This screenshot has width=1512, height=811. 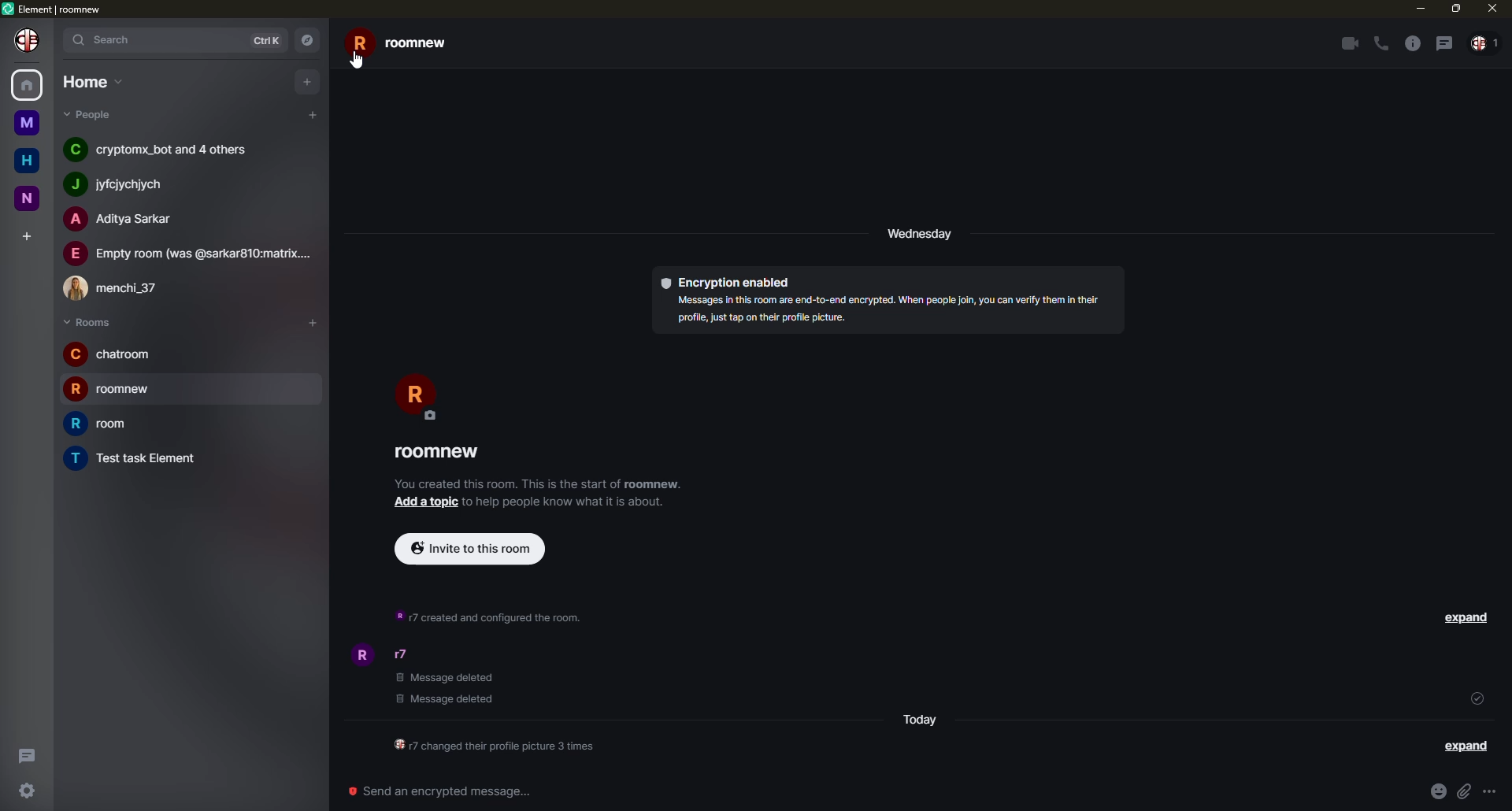 What do you see at coordinates (27, 161) in the screenshot?
I see `home` at bounding box center [27, 161].